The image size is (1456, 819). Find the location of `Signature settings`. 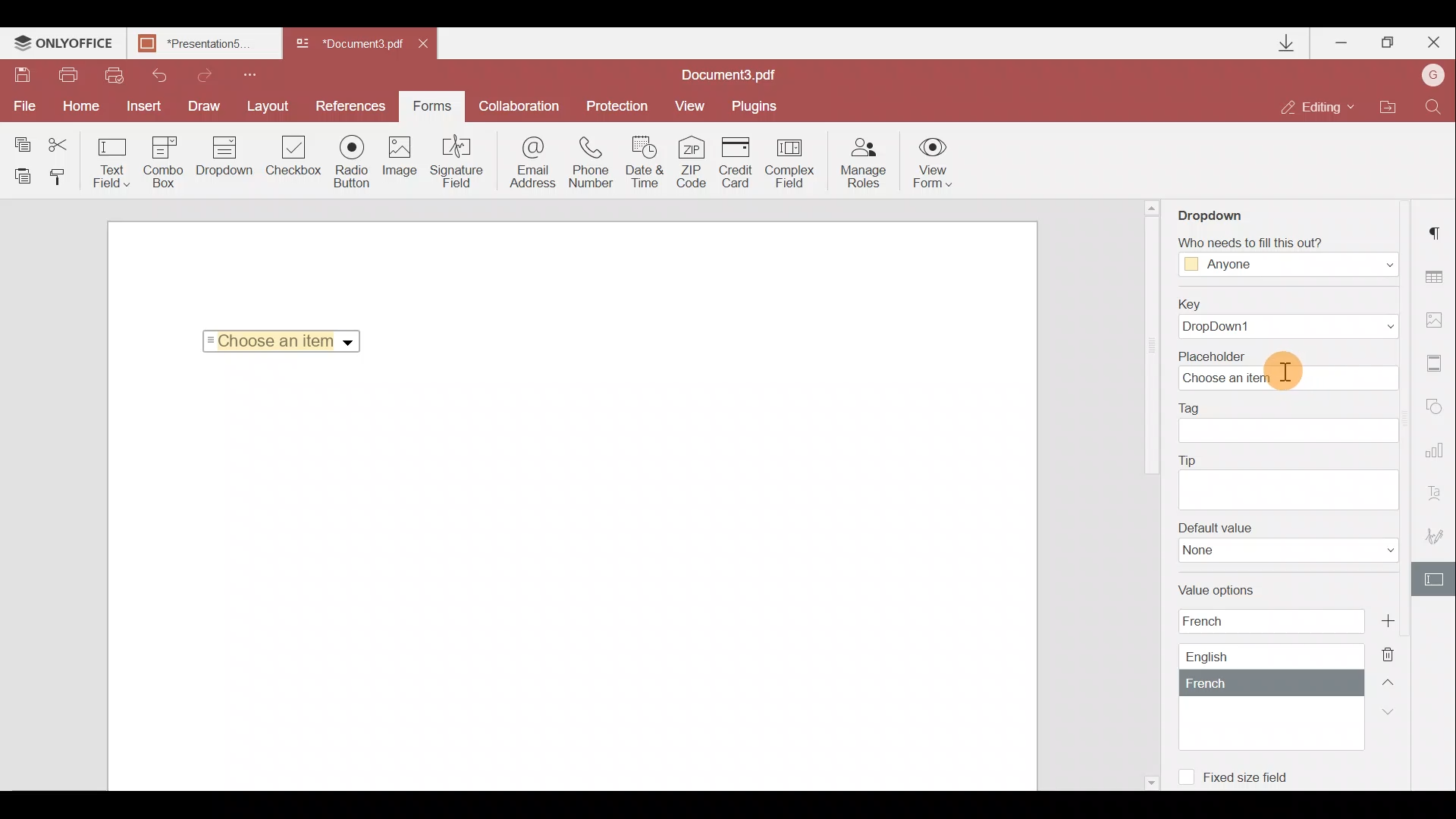

Signature settings is located at coordinates (1438, 540).